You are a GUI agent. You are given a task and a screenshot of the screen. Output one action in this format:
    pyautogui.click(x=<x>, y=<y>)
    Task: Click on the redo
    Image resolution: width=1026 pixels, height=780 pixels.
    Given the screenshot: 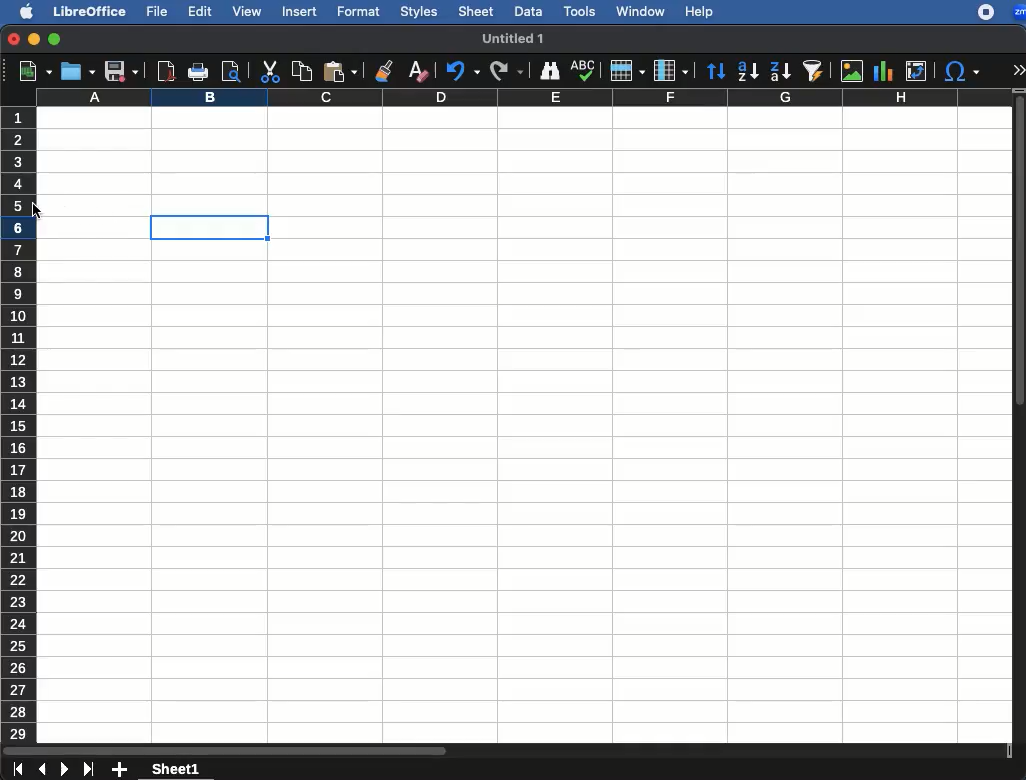 What is the action you would take?
    pyautogui.click(x=459, y=71)
    